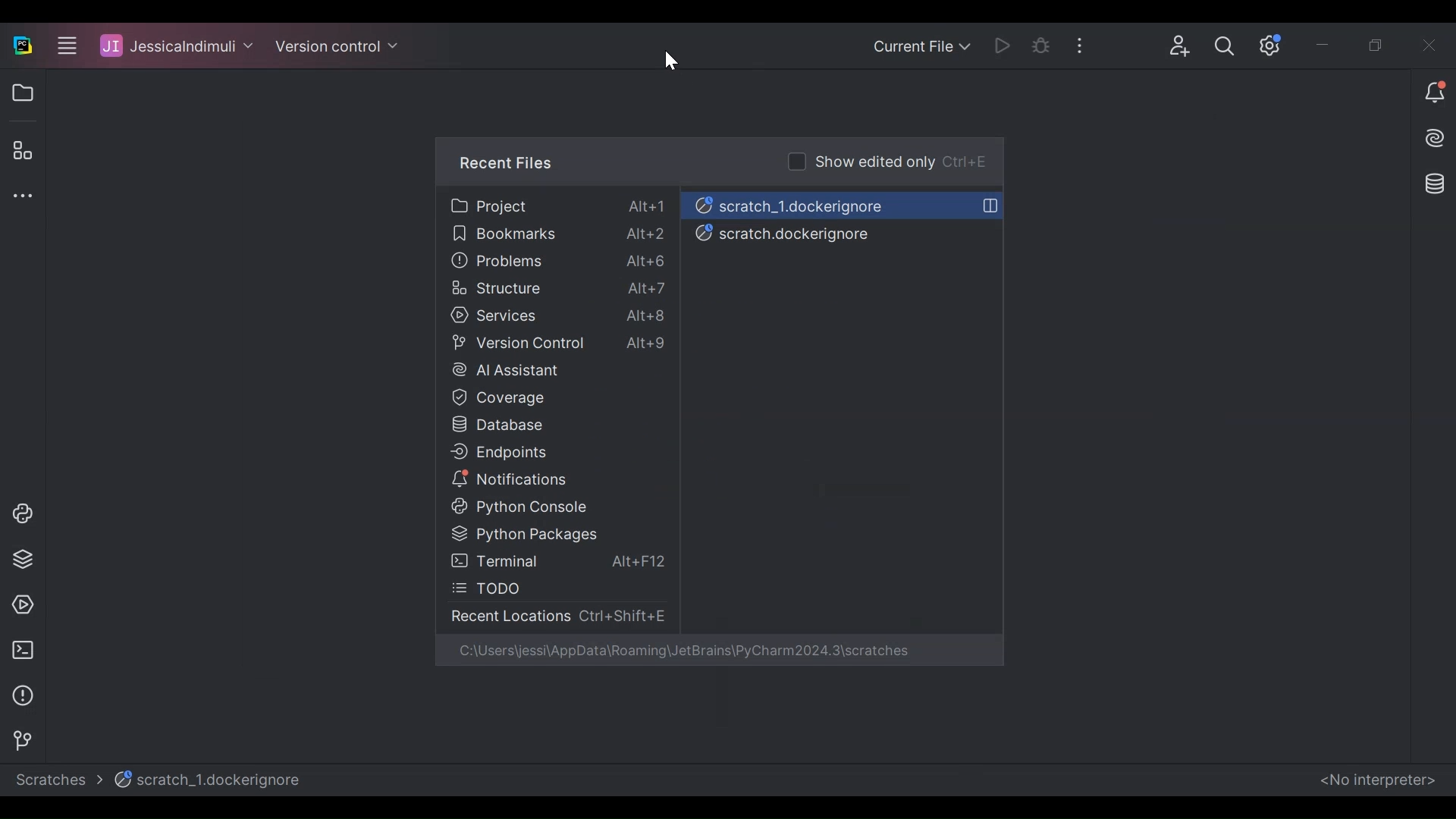 The image size is (1456, 819). I want to click on PyCharm Desktop Icon, so click(23, 47).